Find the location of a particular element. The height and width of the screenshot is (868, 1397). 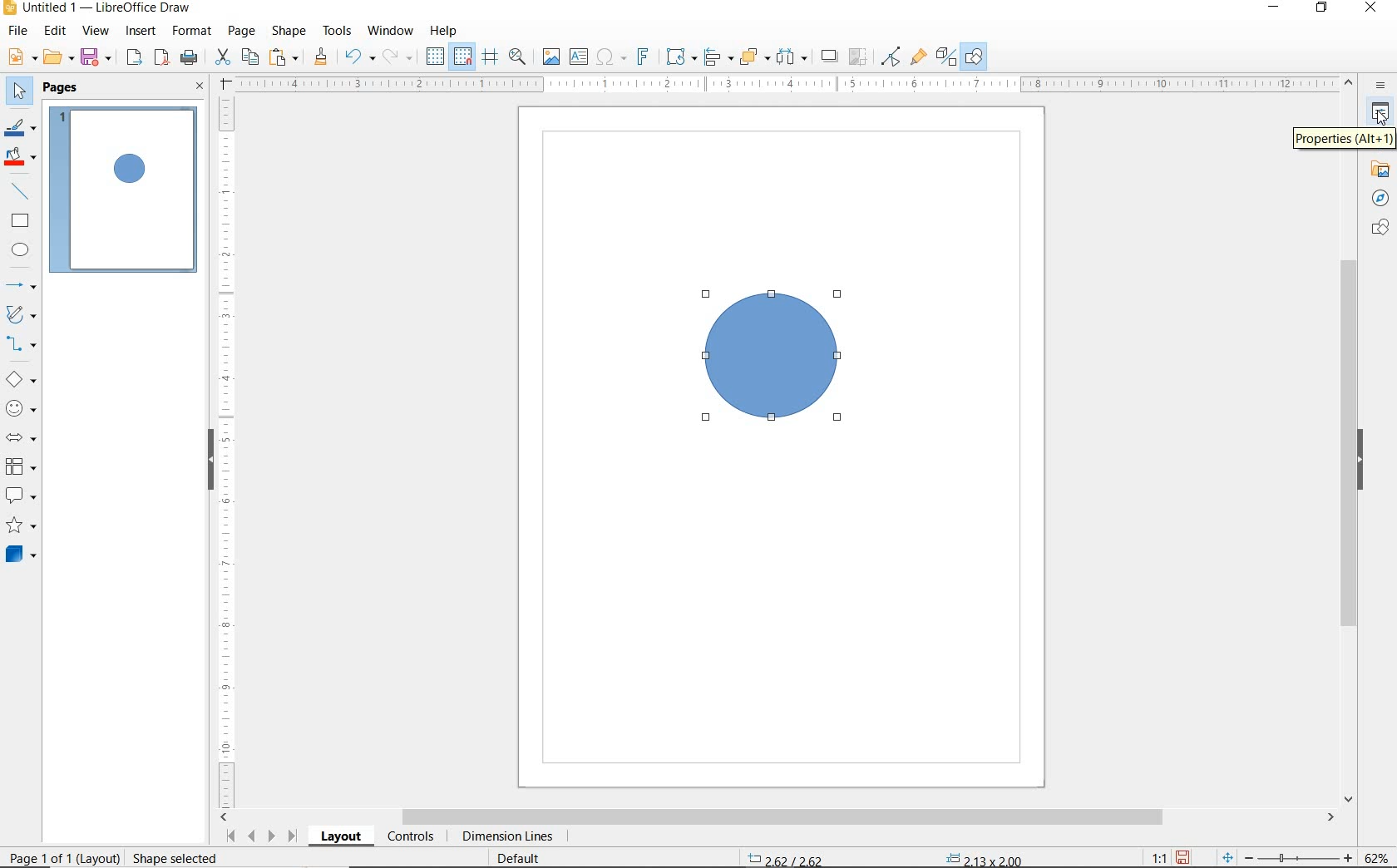

RULER is located at coordinates (227, 451).